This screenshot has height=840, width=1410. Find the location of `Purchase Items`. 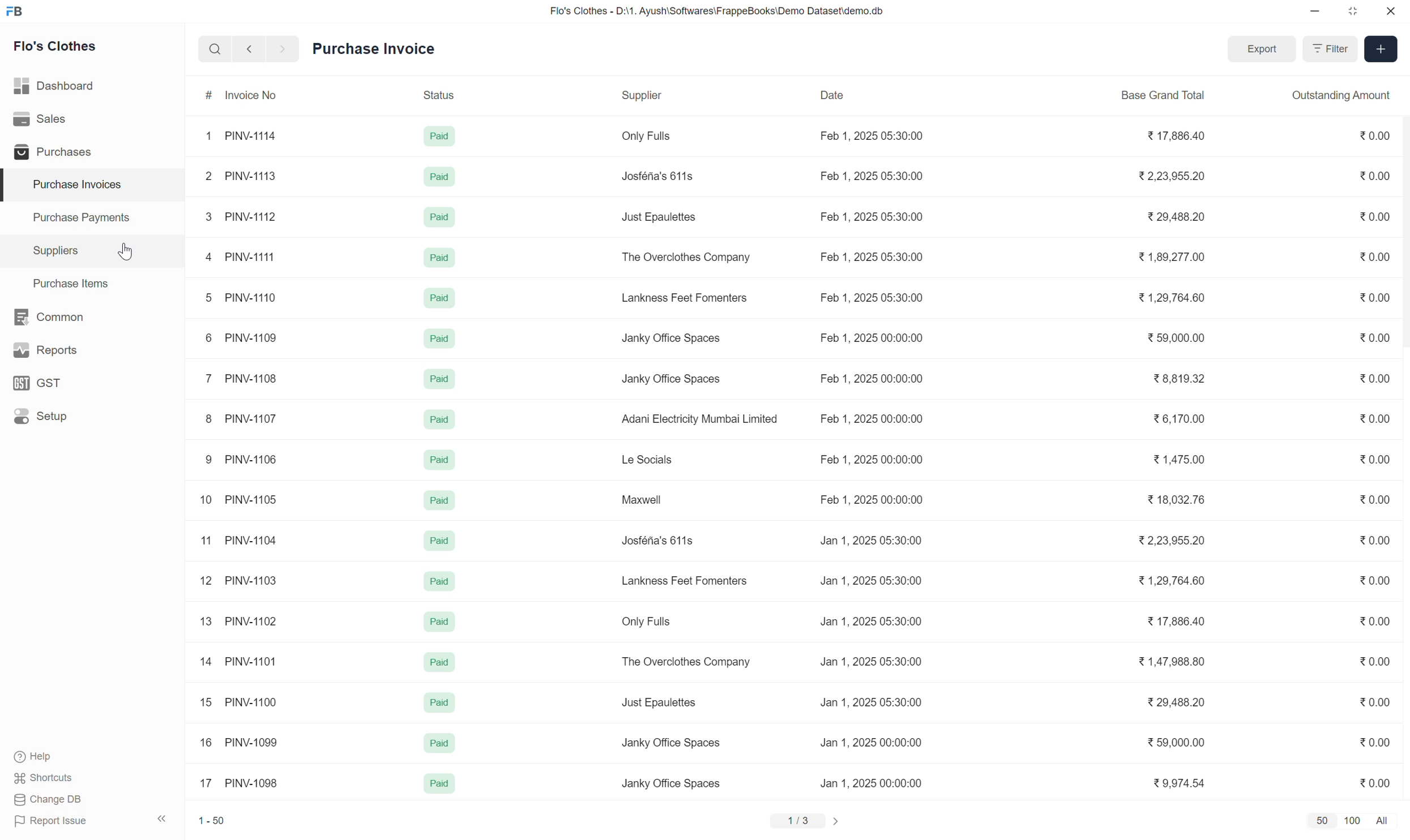

Purchase Items is located at coordinates (92, 284).